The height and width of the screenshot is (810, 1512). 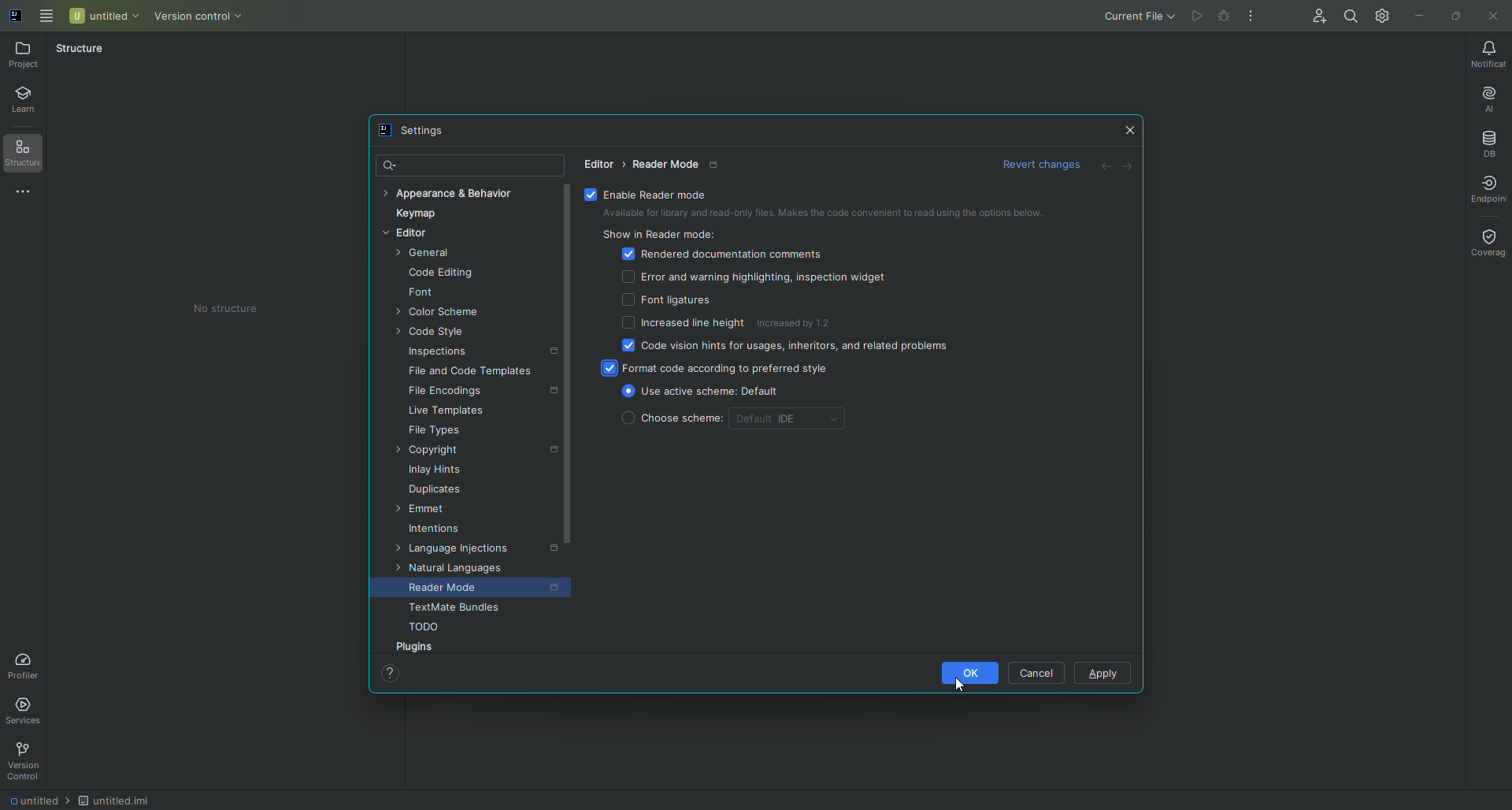 What do you see at coordinates (26, 152) in the screenshot?
I see `Structure` at bounding box center [26, 152].